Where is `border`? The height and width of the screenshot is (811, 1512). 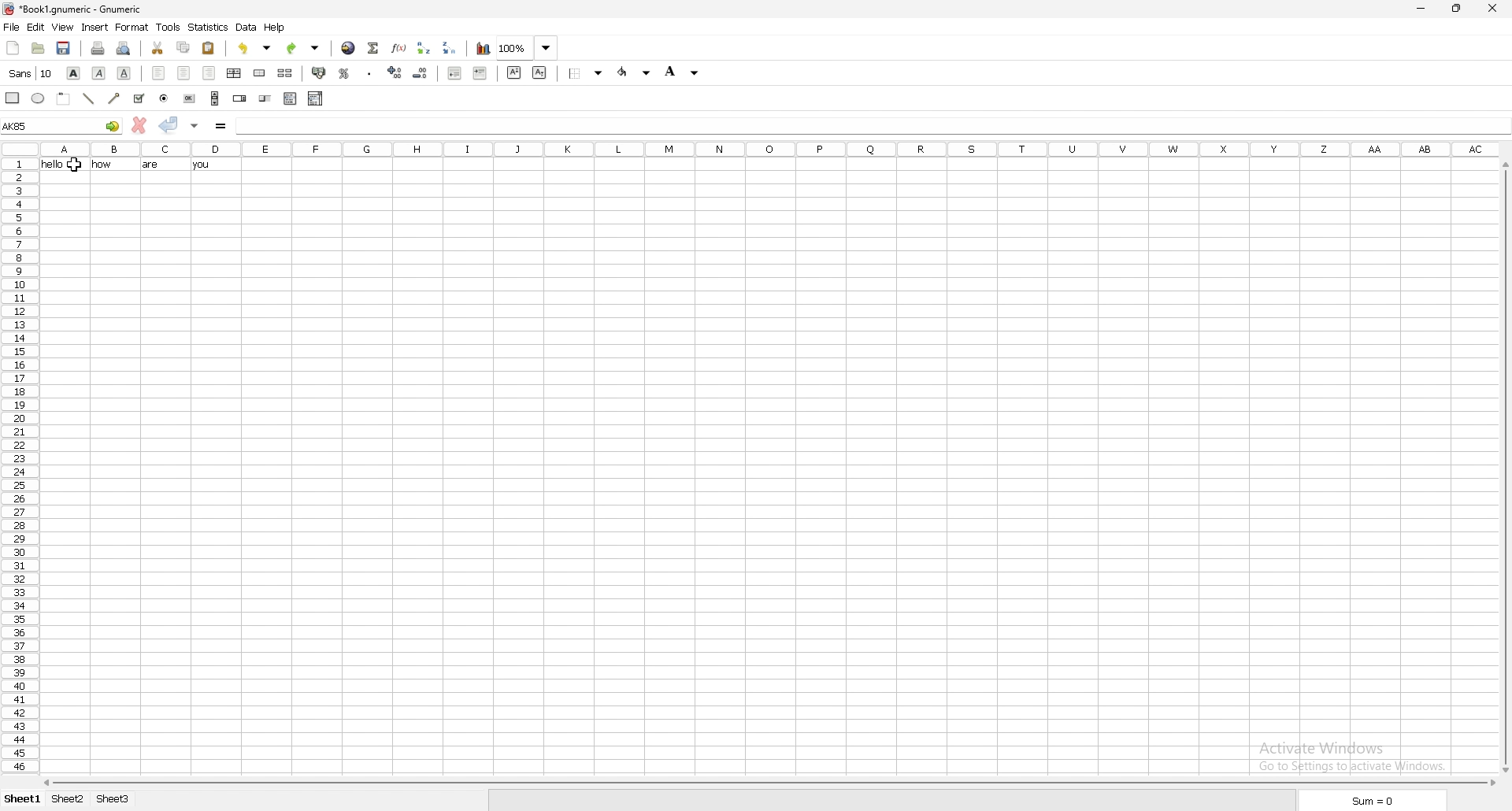
border is located at coordinates (586, 73).